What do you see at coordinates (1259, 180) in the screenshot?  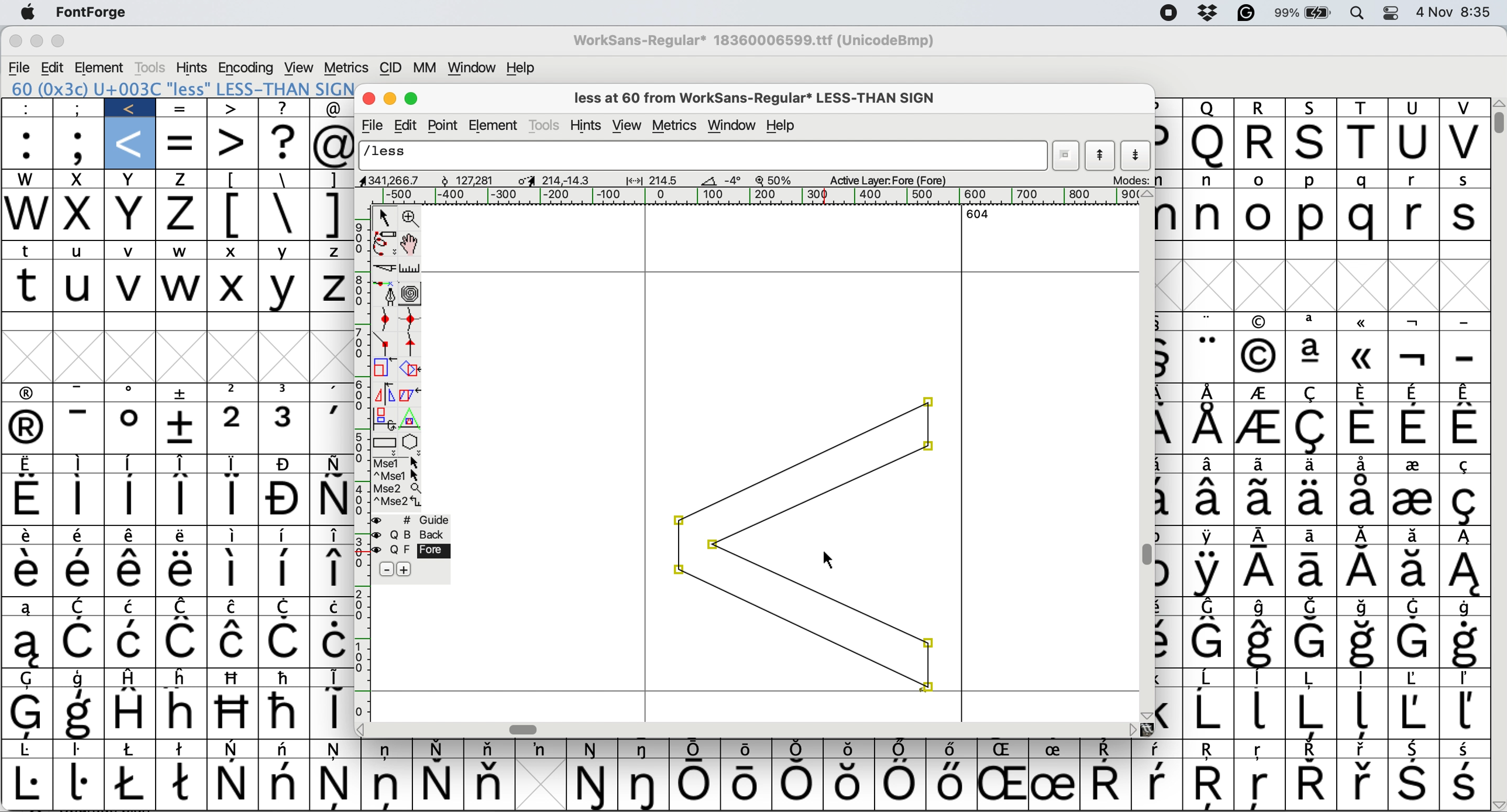 I see `o` at bounding box center [1259, 180].